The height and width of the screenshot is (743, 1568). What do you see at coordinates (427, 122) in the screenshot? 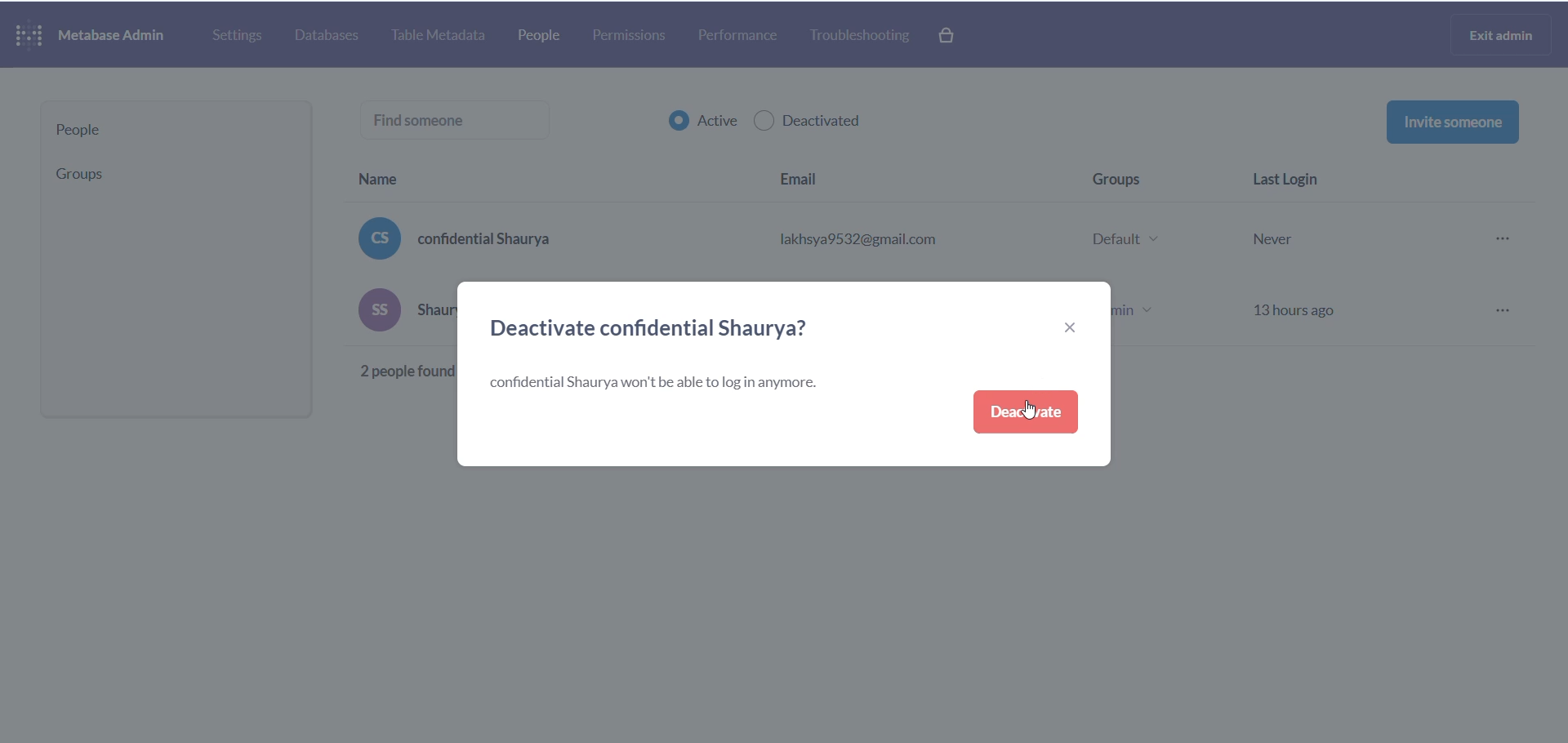
I see `find someone` at bounding box center [427, 122].